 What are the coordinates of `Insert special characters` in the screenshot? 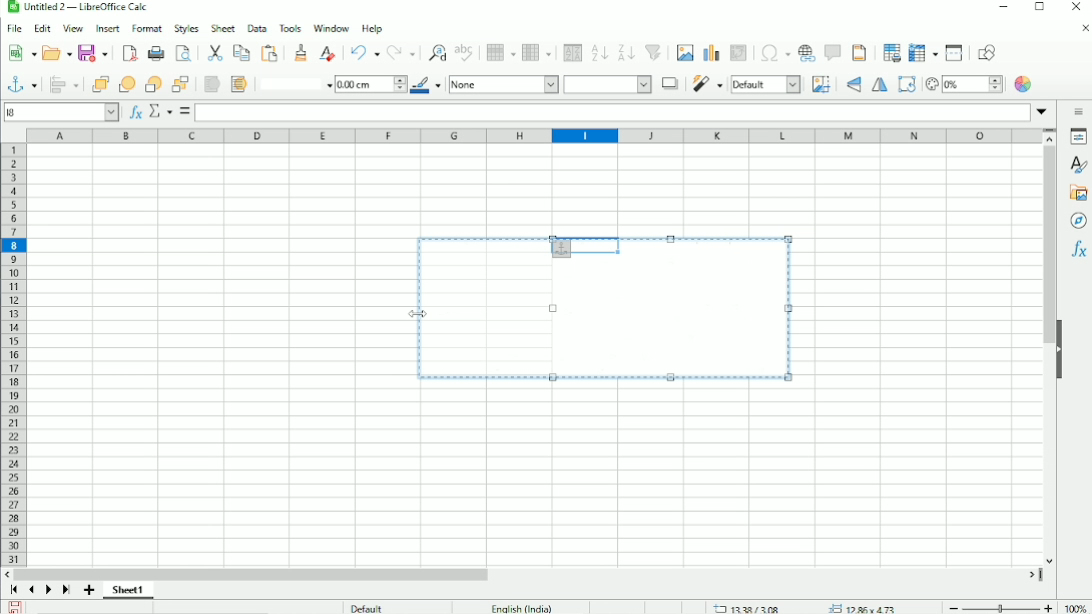 It's located at (772, 53).